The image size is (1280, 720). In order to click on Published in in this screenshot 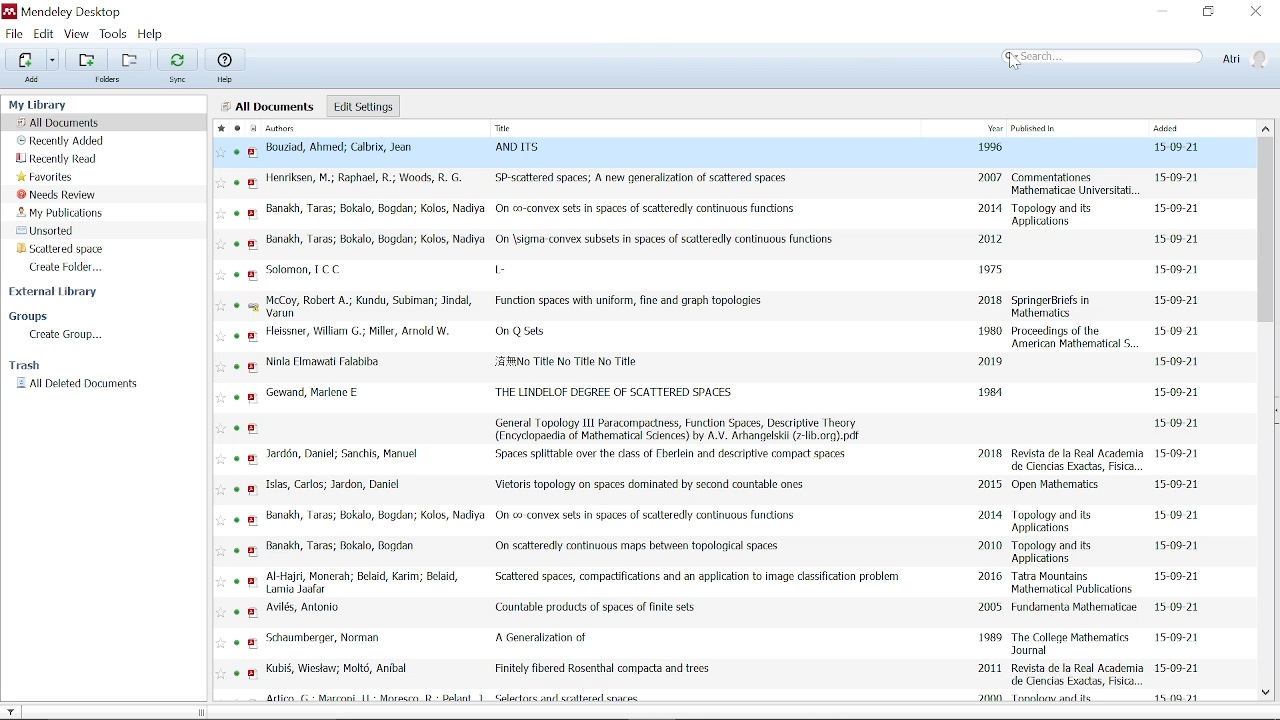, I will do `click(1038, 127)`.